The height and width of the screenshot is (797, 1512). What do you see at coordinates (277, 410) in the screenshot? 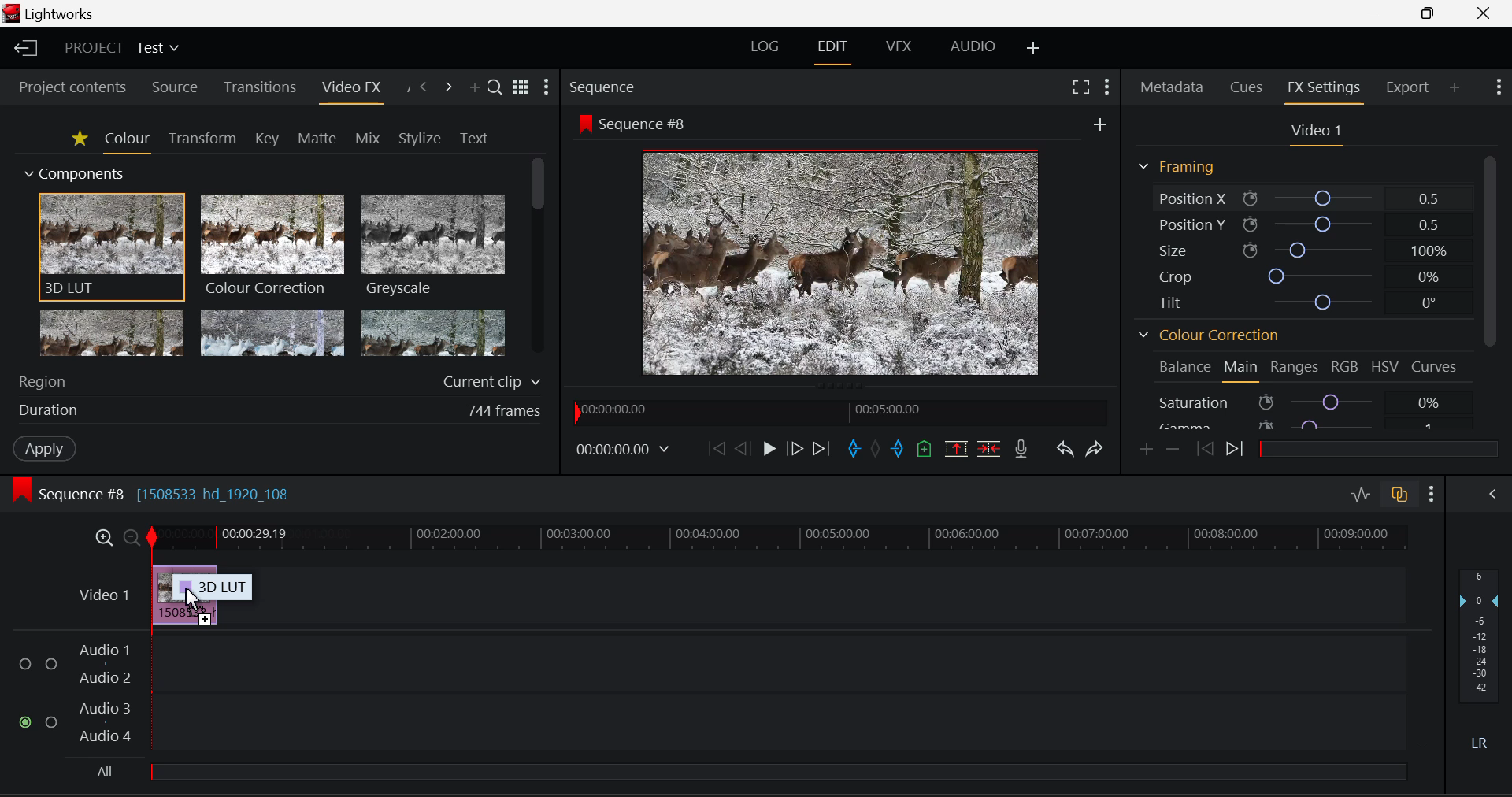
I see `Effect duration` at bounding box center [277, 410].